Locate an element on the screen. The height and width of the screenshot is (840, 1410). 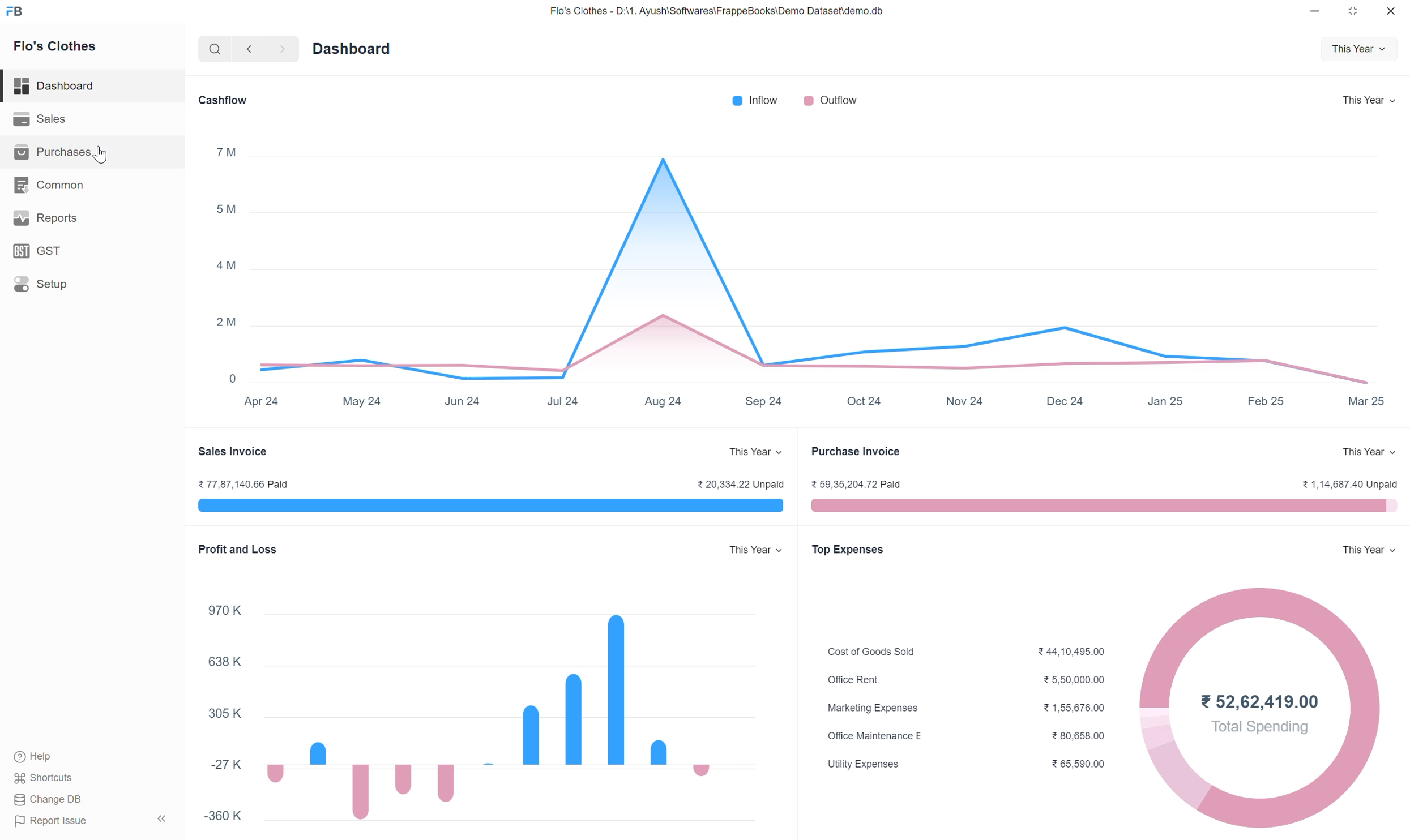
reports is located at coordinates (44, 217).